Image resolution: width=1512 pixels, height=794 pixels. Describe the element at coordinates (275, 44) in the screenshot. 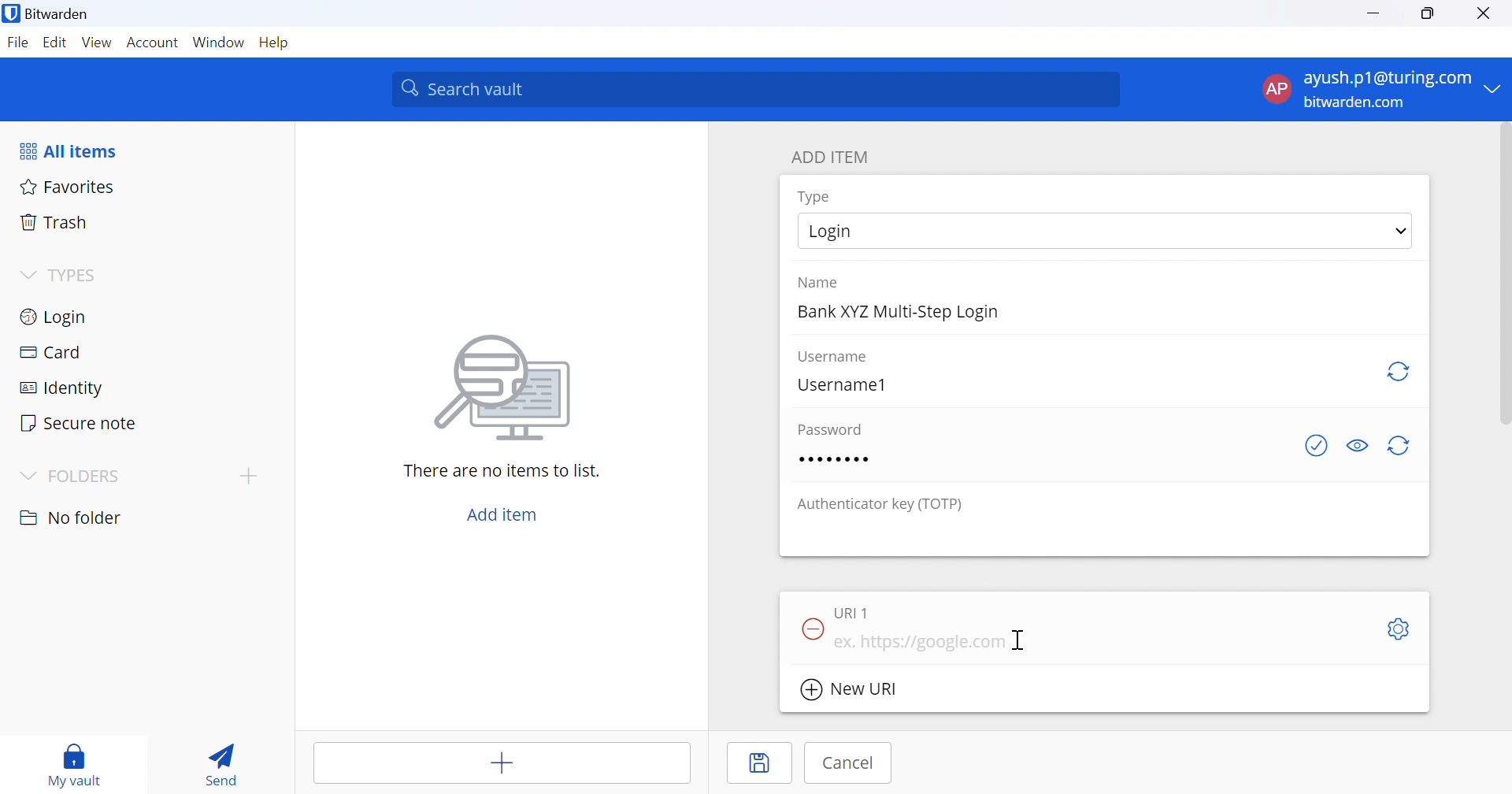

I see `Help` at that location.